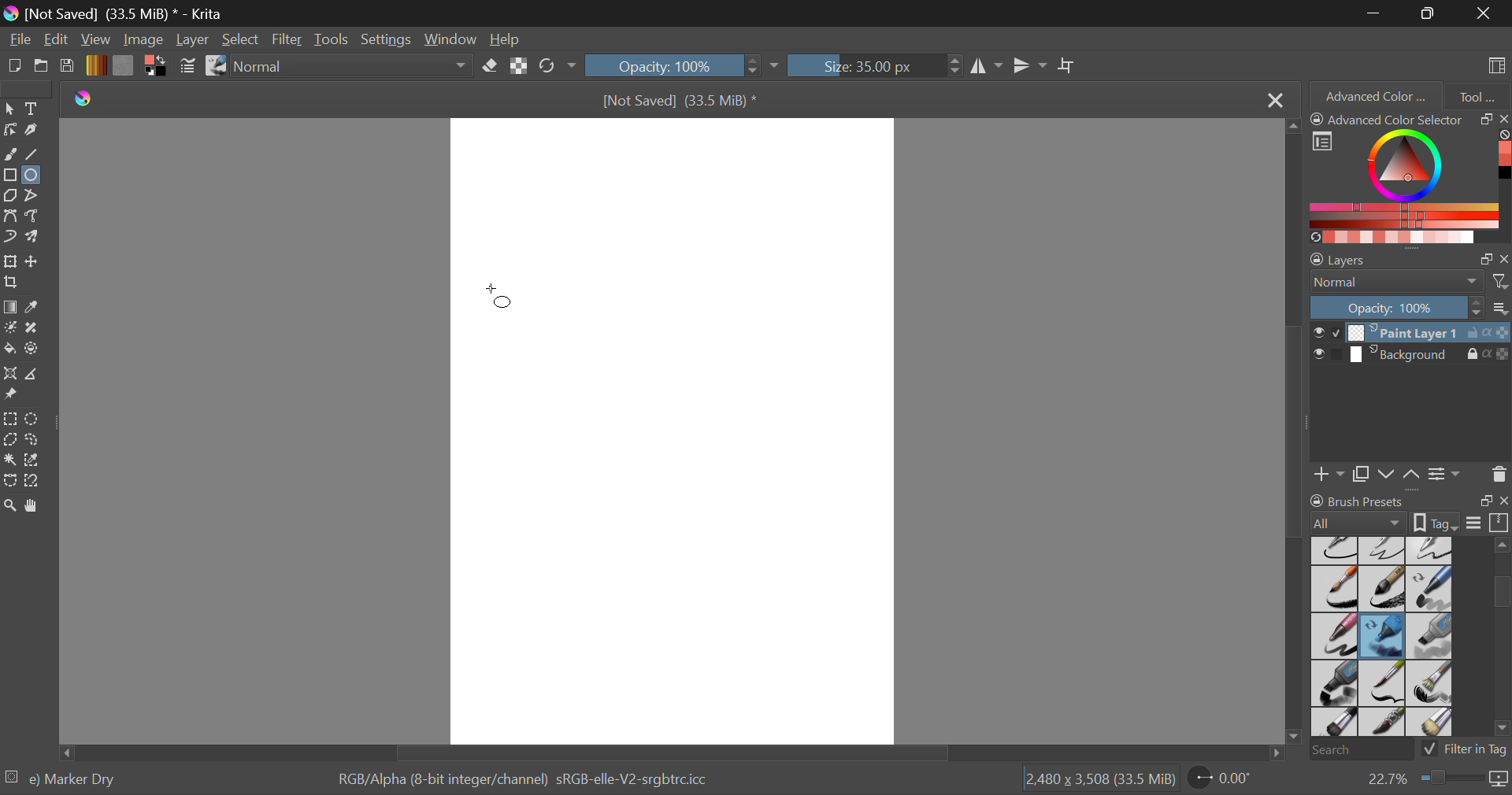 Image resolution: width=1512 pixels, height=795 pixels. I want to click on Rectangle Selection Tool, so click(9, 418).